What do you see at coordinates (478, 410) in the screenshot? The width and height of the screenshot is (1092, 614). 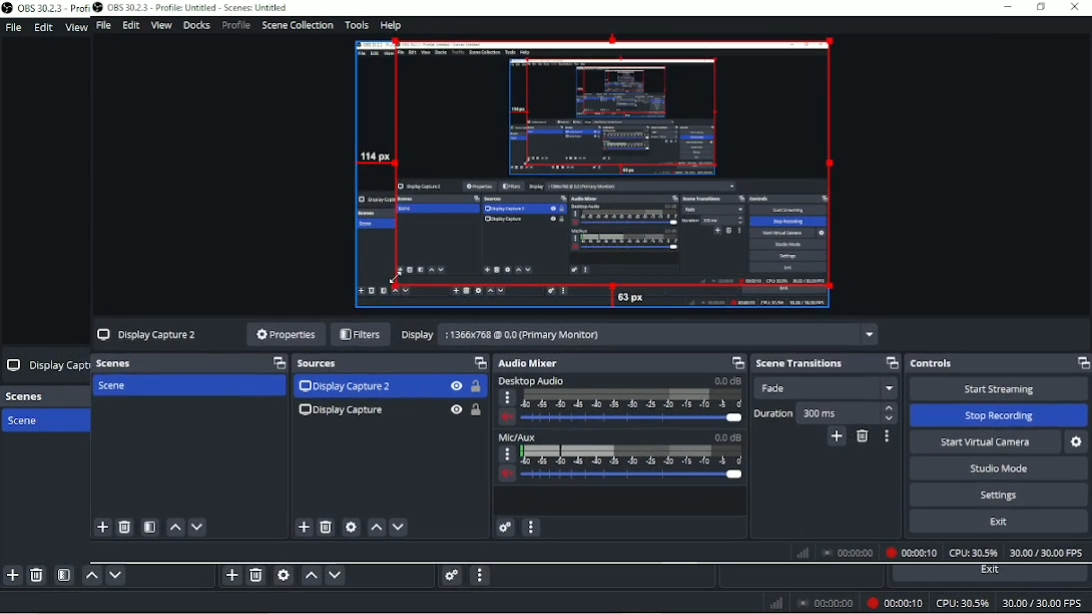 I see `Lock` at bounding box center [478, 410].